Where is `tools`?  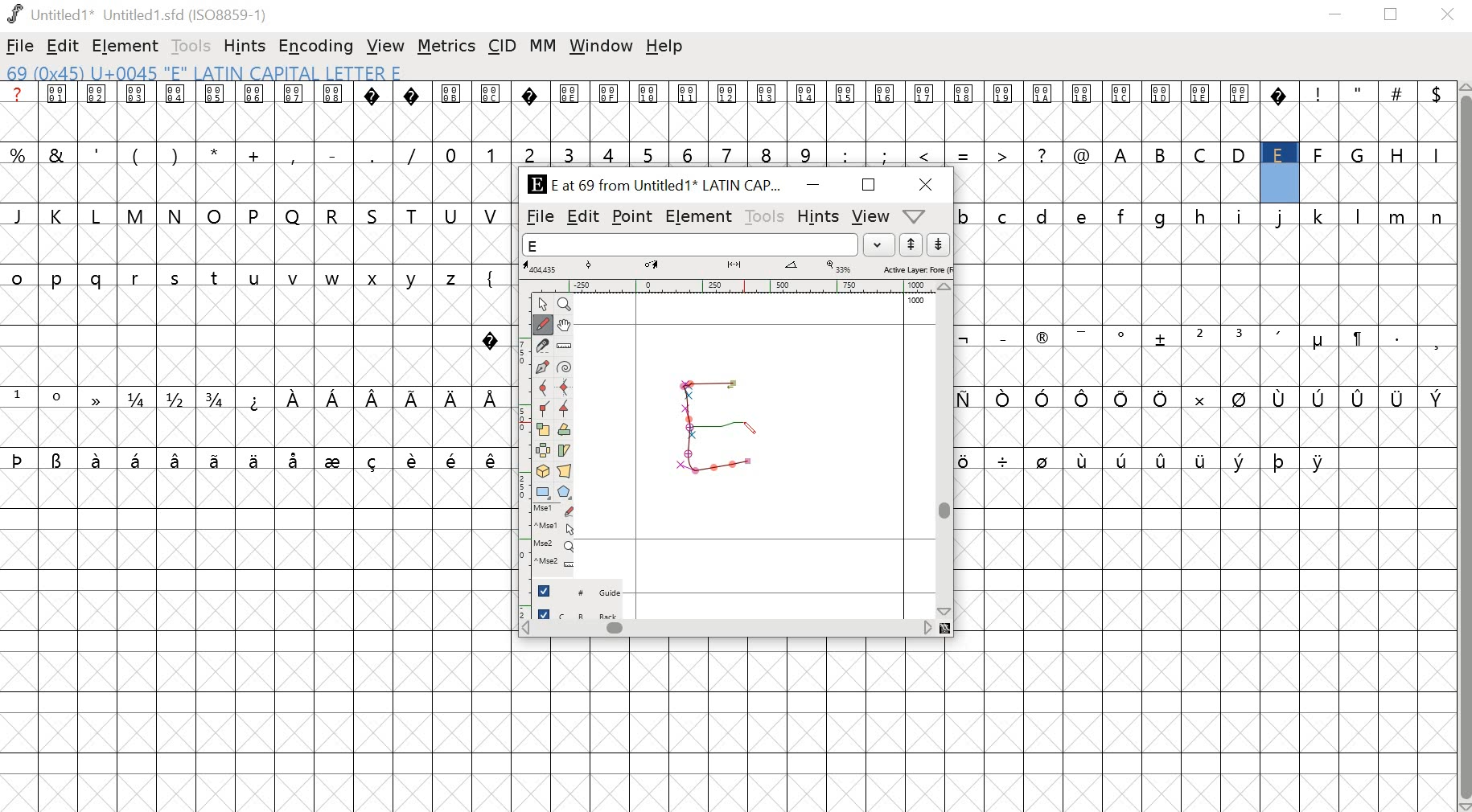 tools is located at coordinates (191, 46).